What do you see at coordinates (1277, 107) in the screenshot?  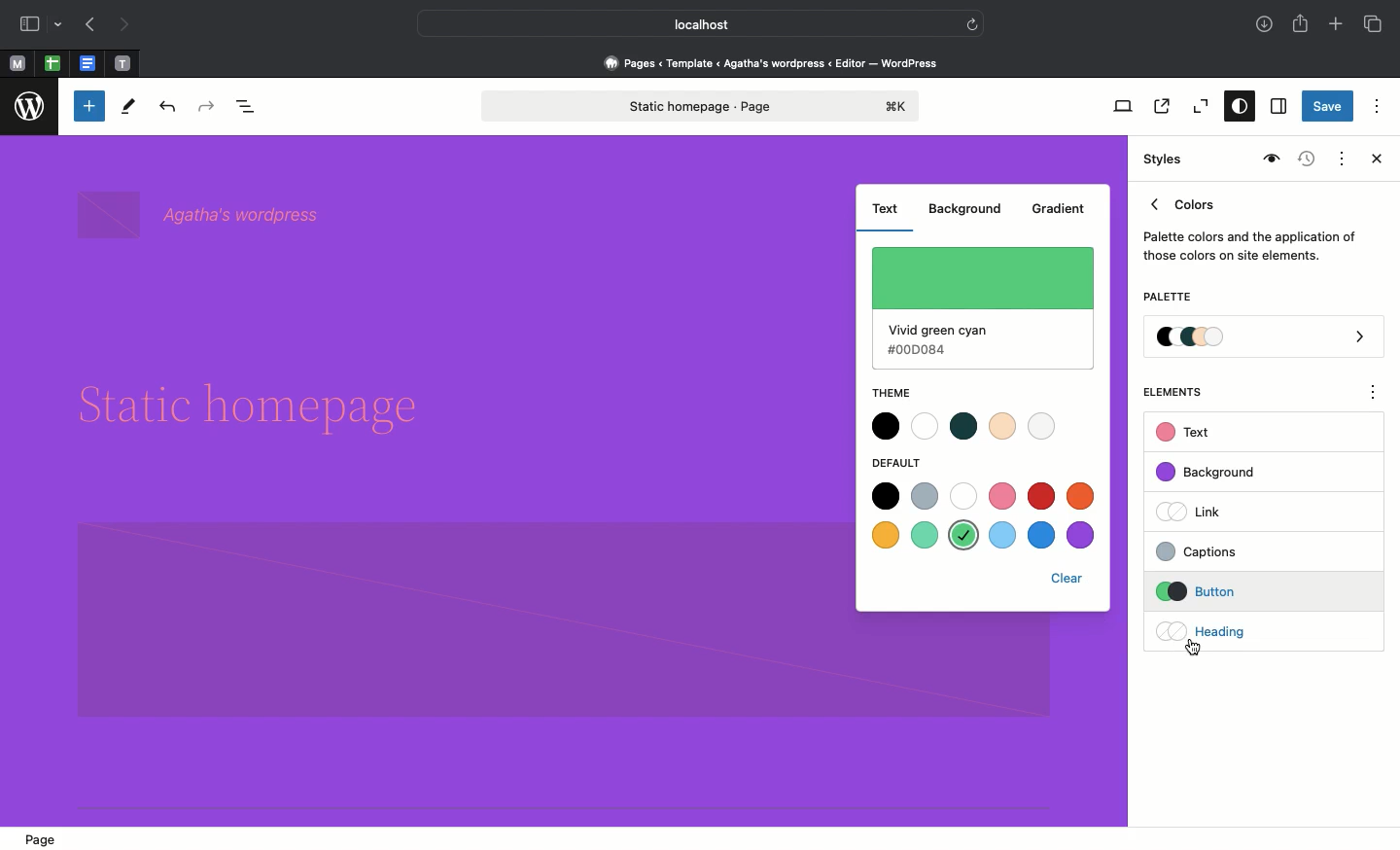 I see `Settings` at bounding box center [1277, 107].